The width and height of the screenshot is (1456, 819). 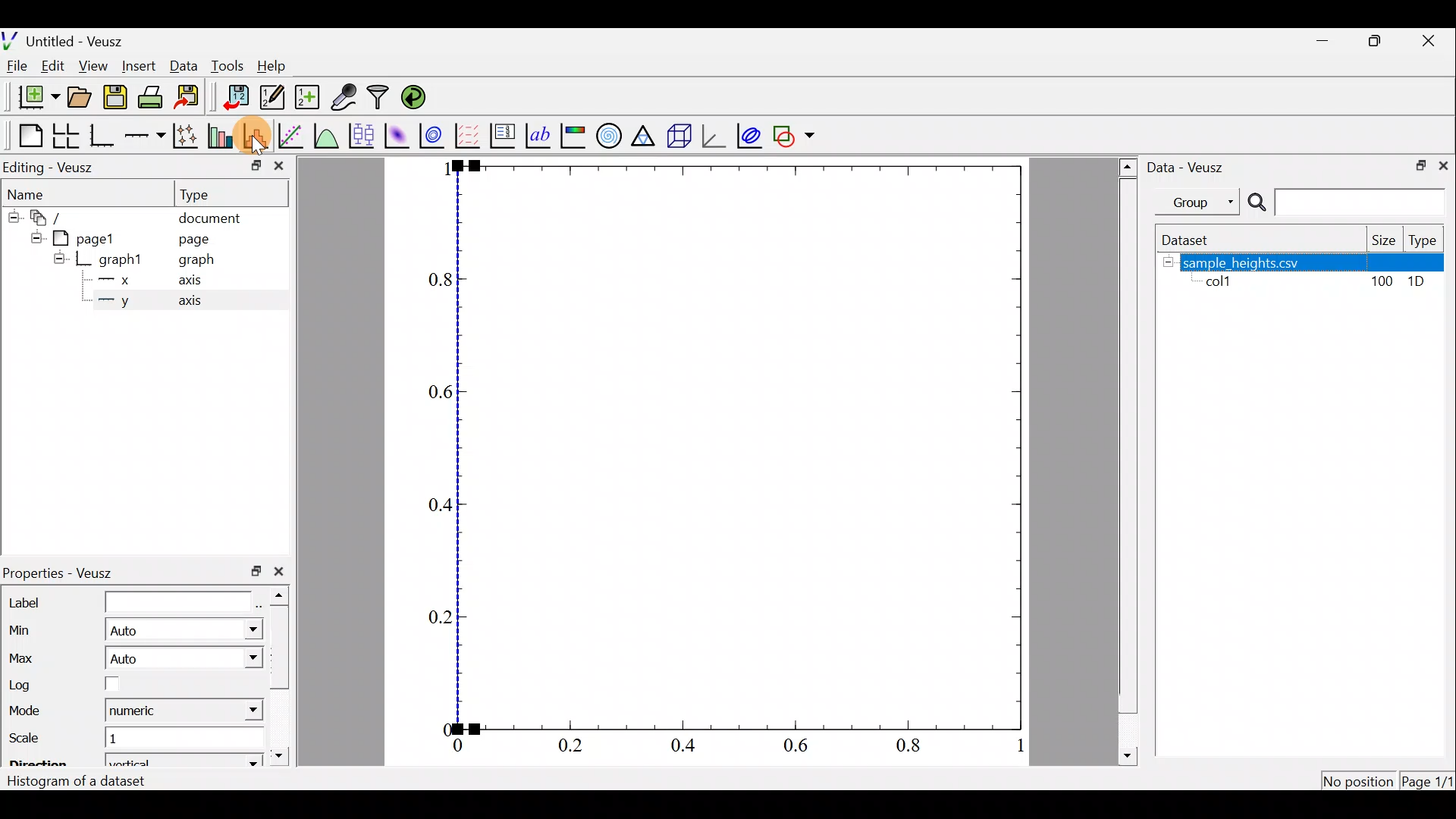 What do you see at coordinates (1426, 783) in the screenshot?
I see `Page 1/1` at bounding box center [1426, 783].